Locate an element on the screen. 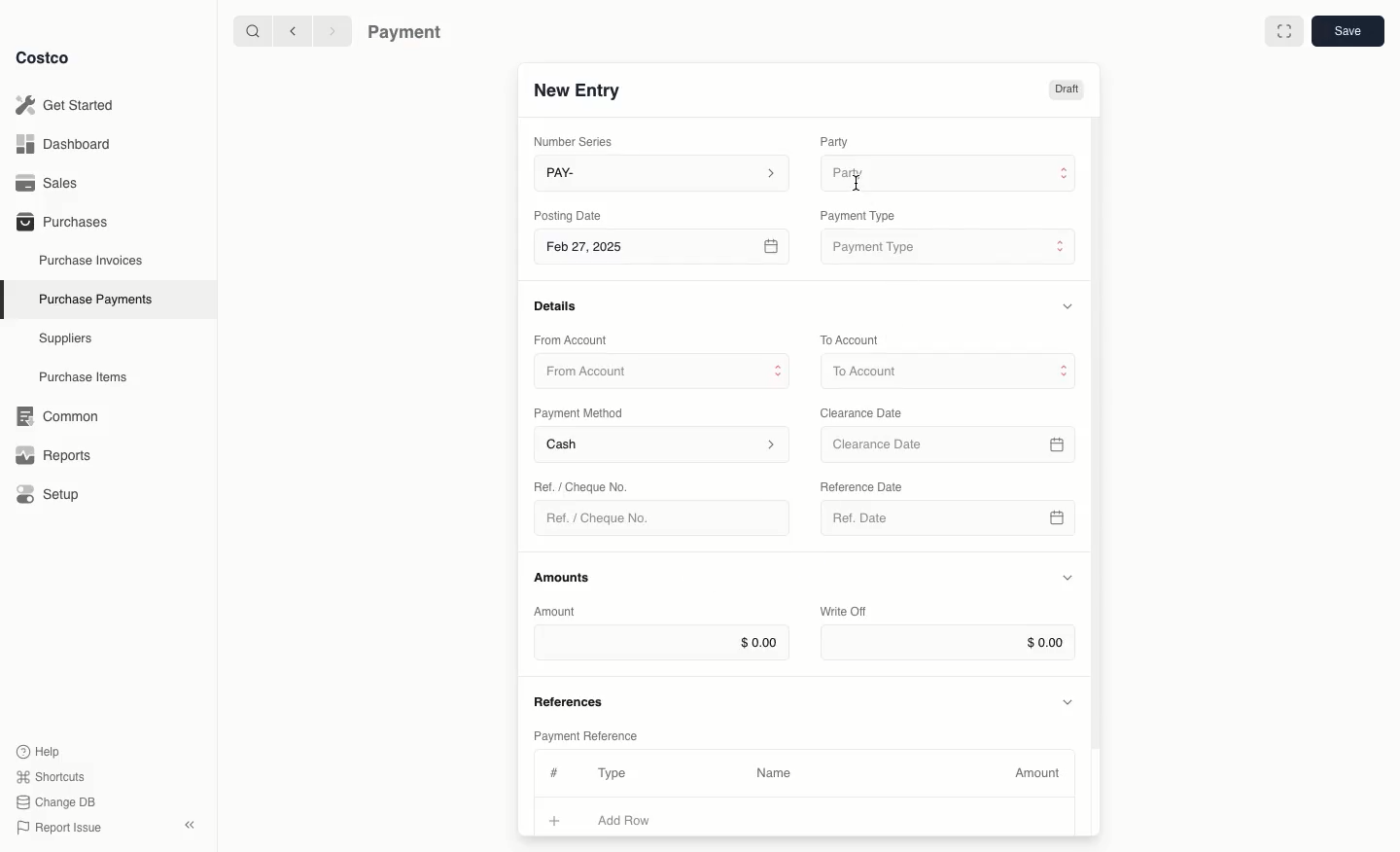 The image size is (1400, 852). Hide is located at coordinates (1069, 700).